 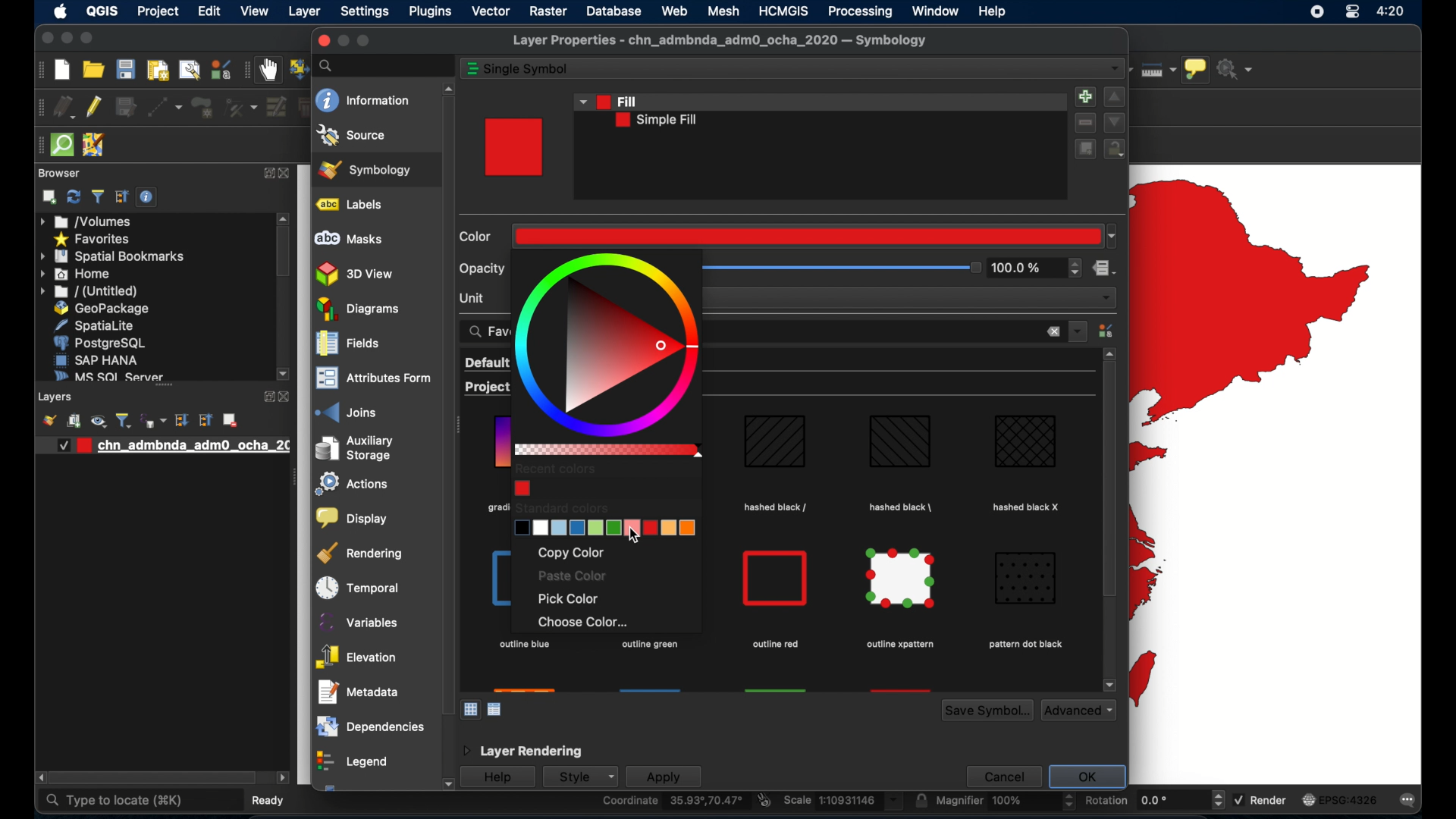 What do you see at coordinates (561, 507) in the screenshot?
I see `standard color` at bounding box center [561, 507].